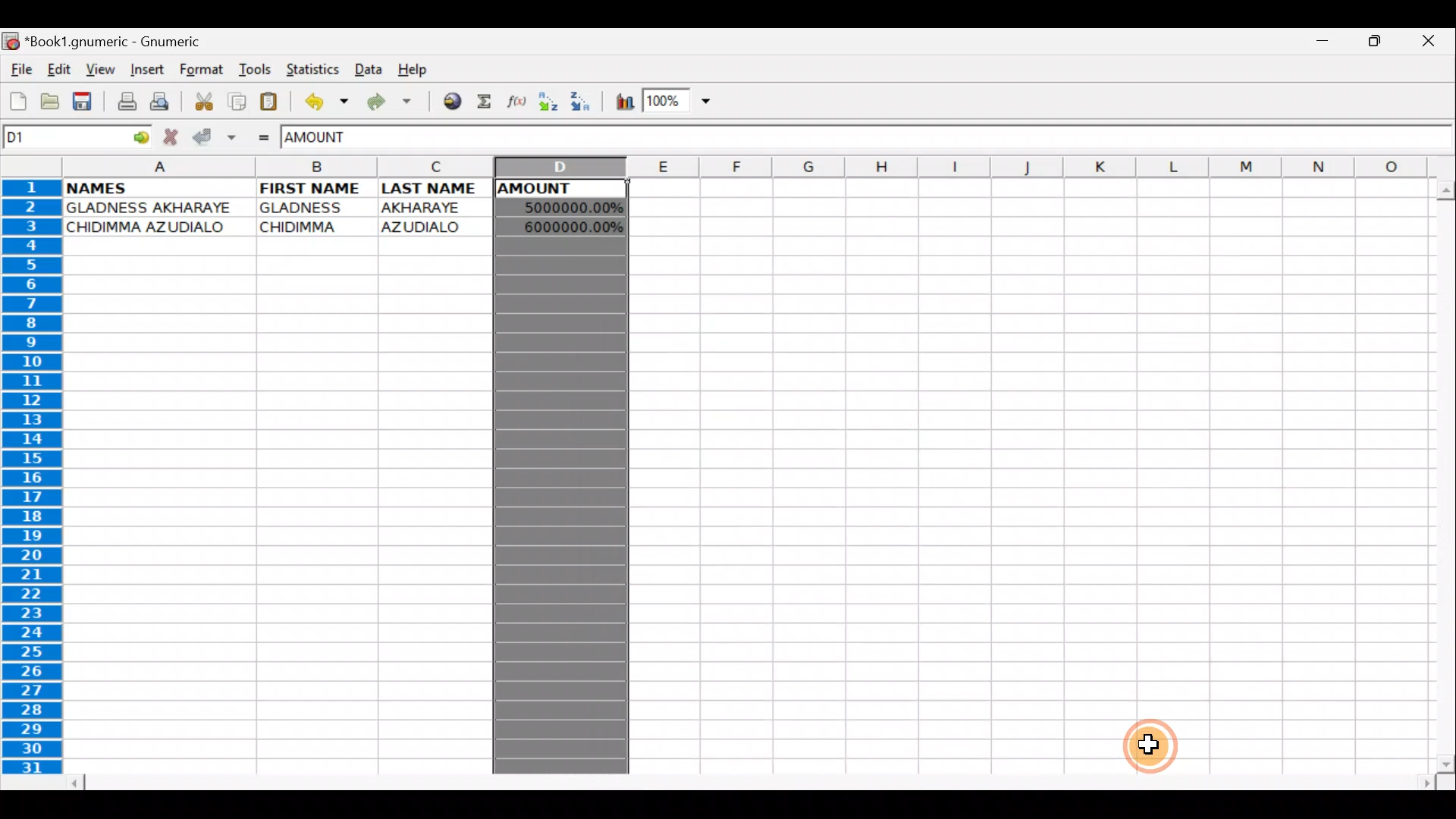 The image size is (1456, 819). What do you see at coordinates (745, 780) in the screenshot?
I see `Scroll bar` at bounding box center [745, 780].